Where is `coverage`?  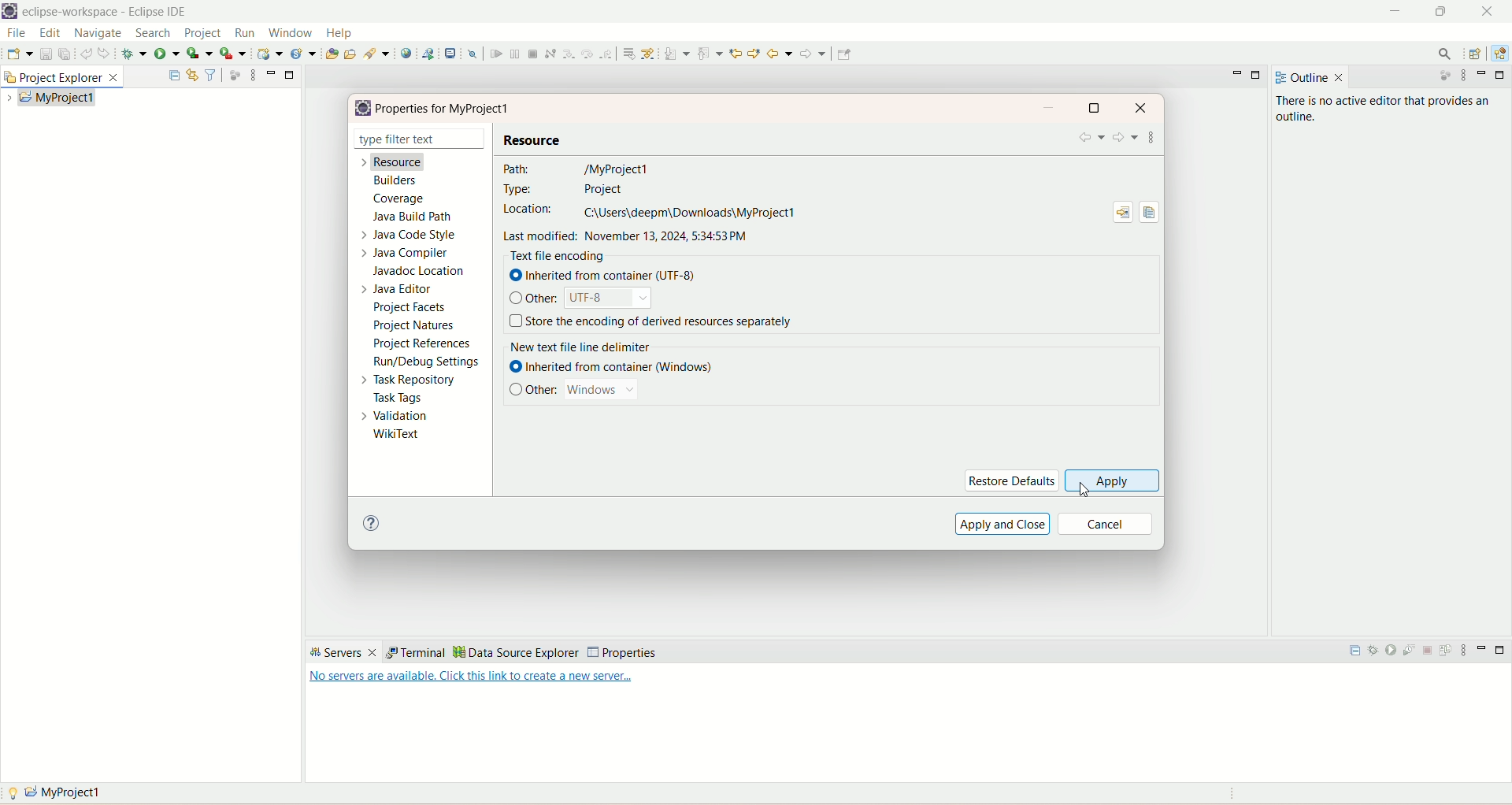
coverage is located at coordinates (399, 200).